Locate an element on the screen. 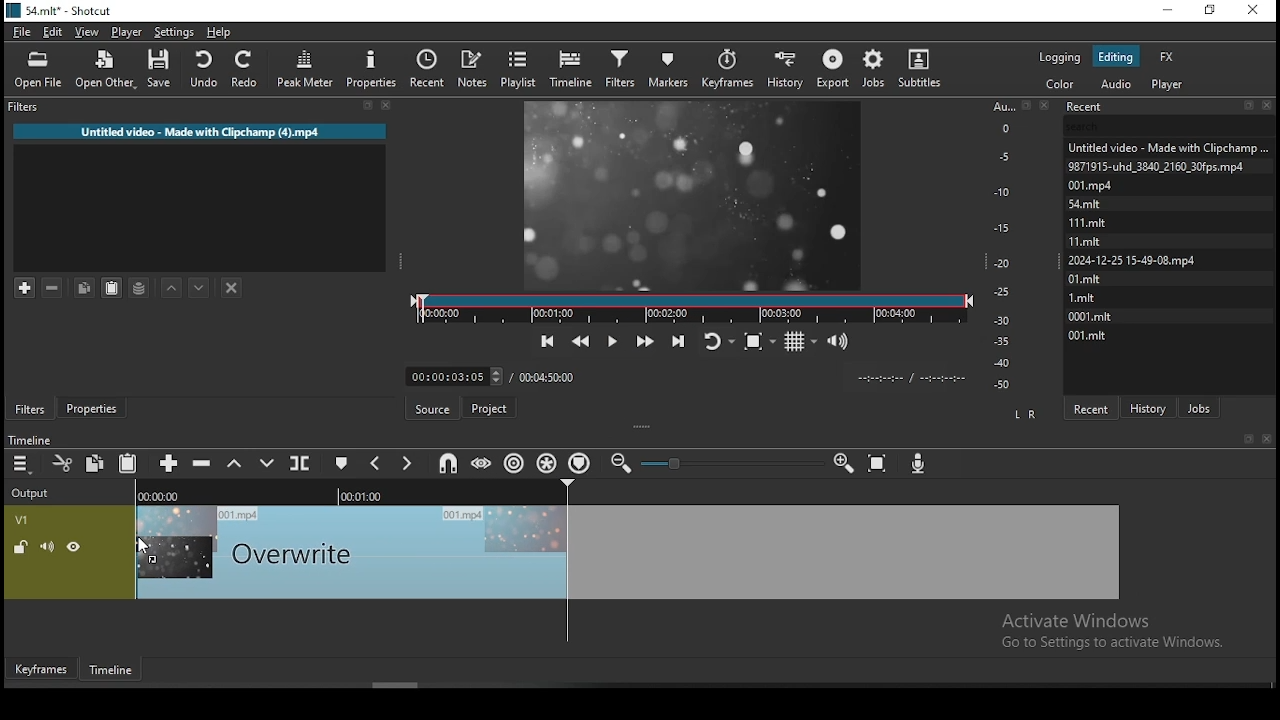  remove selected filters is located at coordinates (51, 284).